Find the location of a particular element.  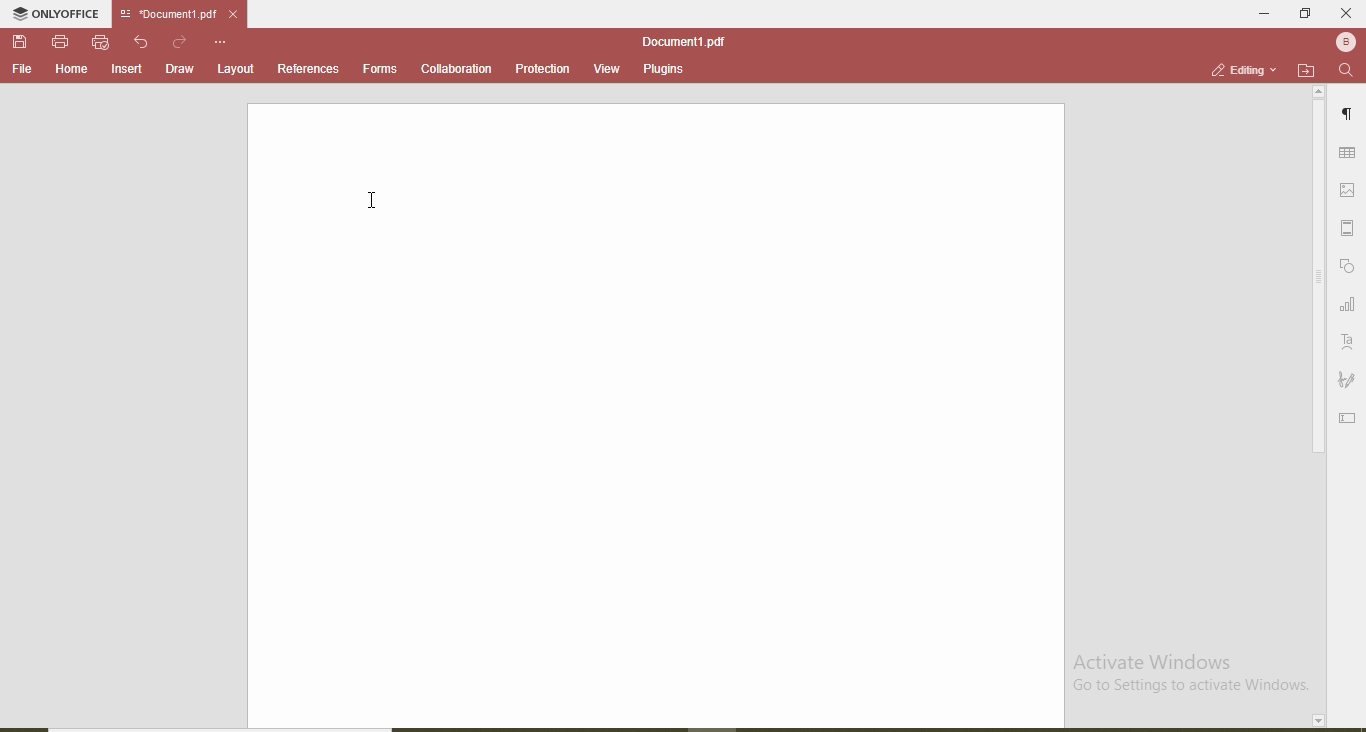

close is located at coordinates (1346, 13).